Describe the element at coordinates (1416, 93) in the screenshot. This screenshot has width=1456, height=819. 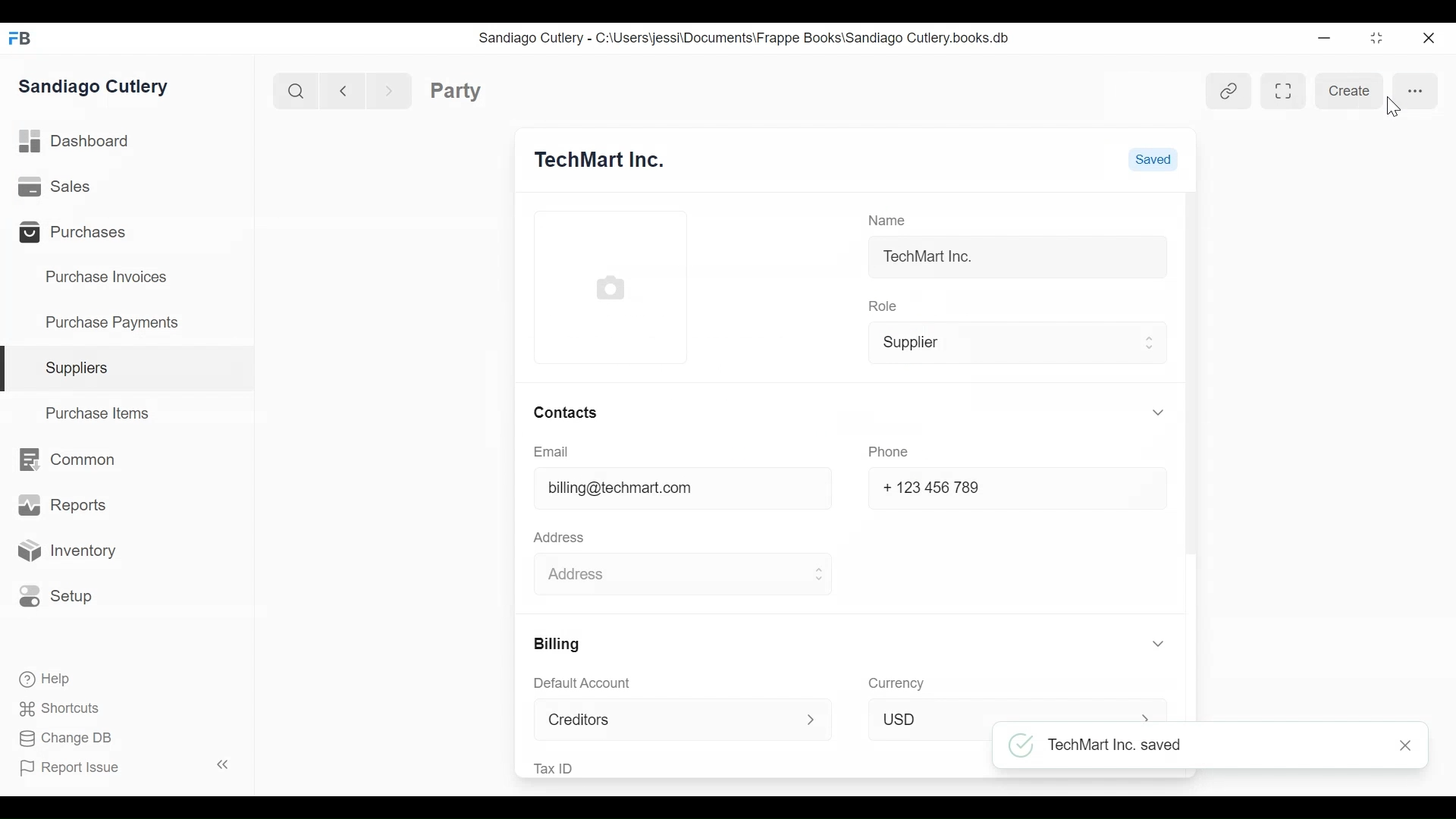
I see `more` at that location.